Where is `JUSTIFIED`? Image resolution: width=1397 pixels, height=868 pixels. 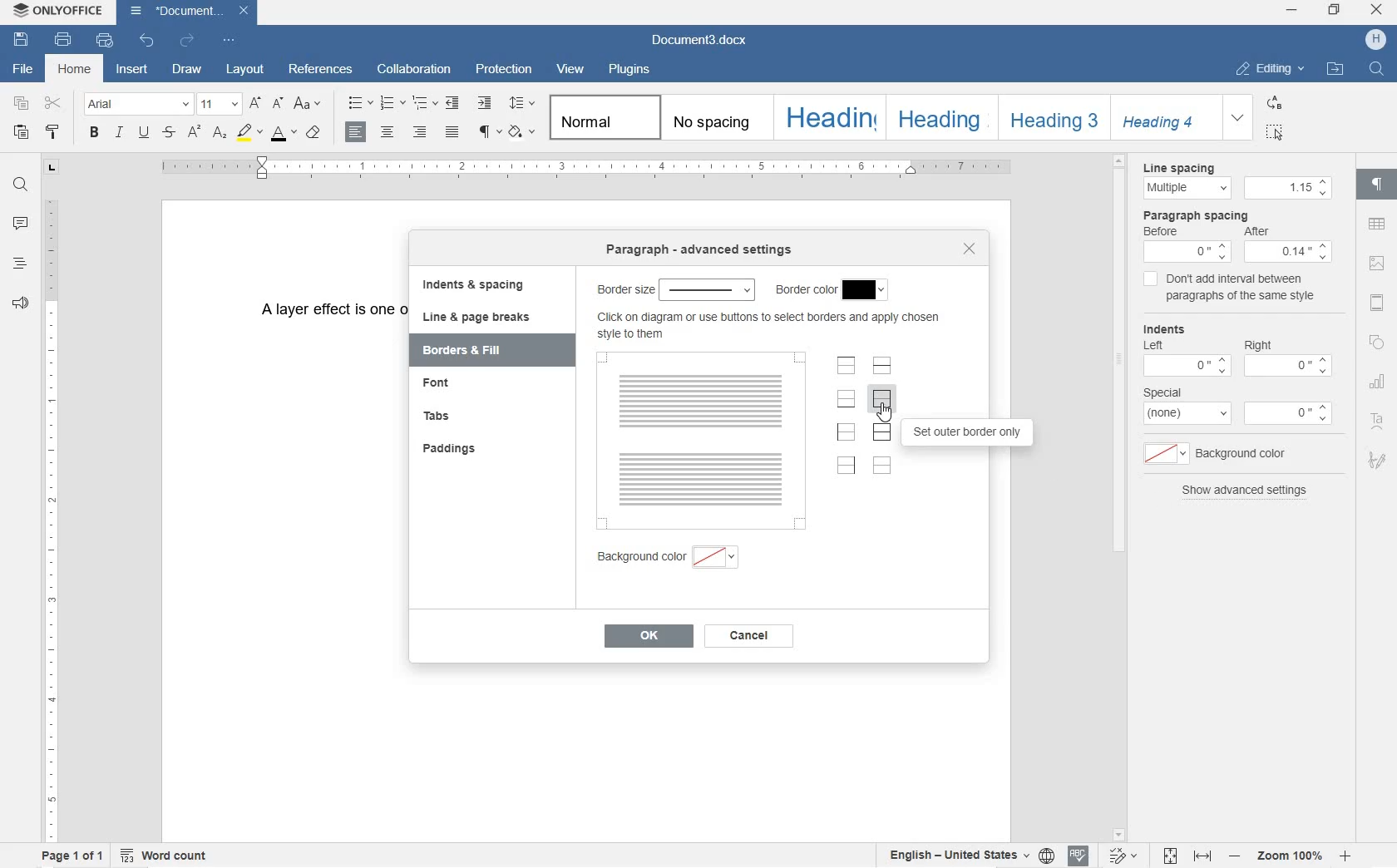
JUSTIFIED is located at coordinates (452, 131).